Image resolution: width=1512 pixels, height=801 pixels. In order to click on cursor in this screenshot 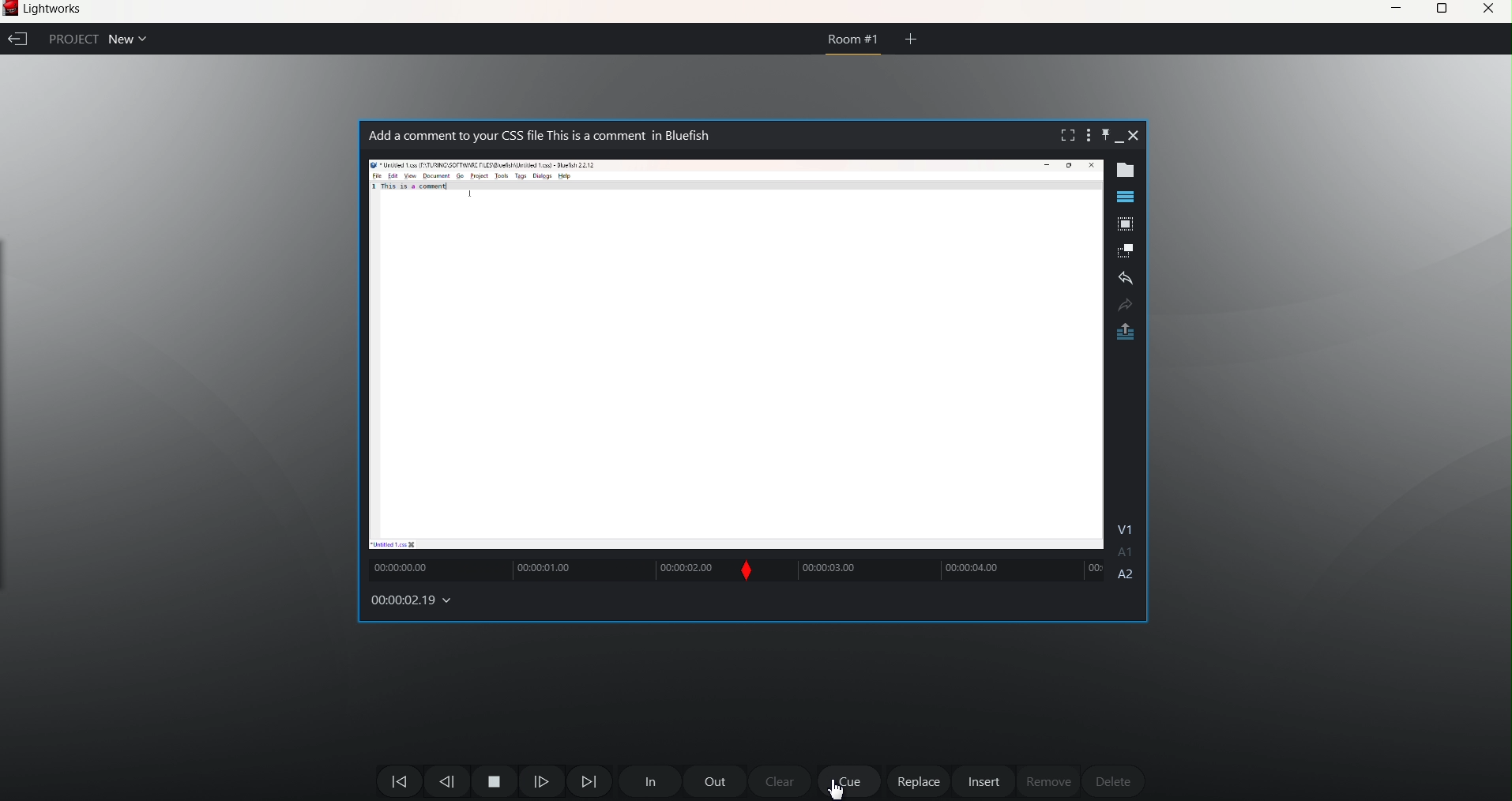, I will do `click(837, 788)`.